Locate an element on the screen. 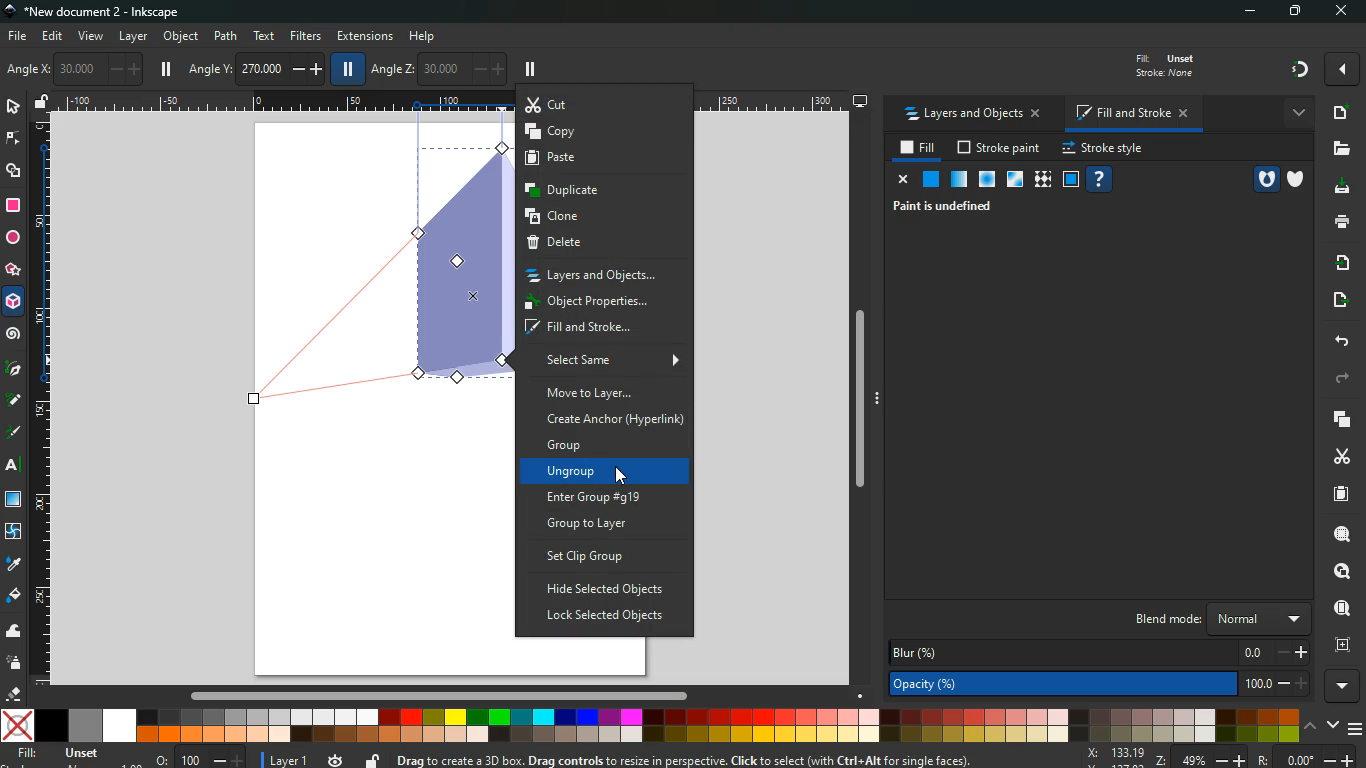 The width and height of the screenshot is (1366, 768). down is located at coordinates (1334, 726).